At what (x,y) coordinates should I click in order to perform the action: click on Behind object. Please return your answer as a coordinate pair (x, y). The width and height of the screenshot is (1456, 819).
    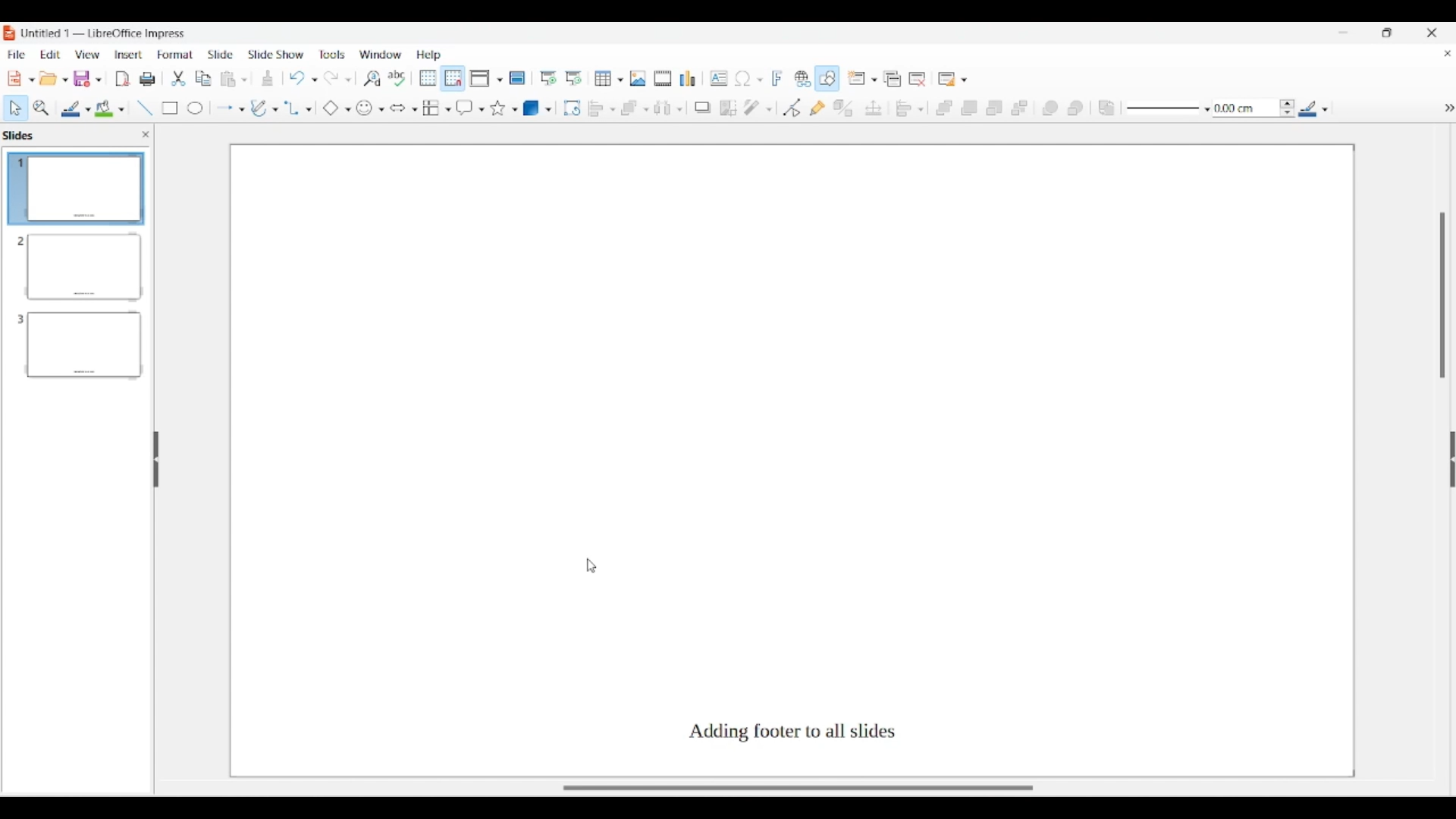
    Looking at the image, I should click on (1075, 108).